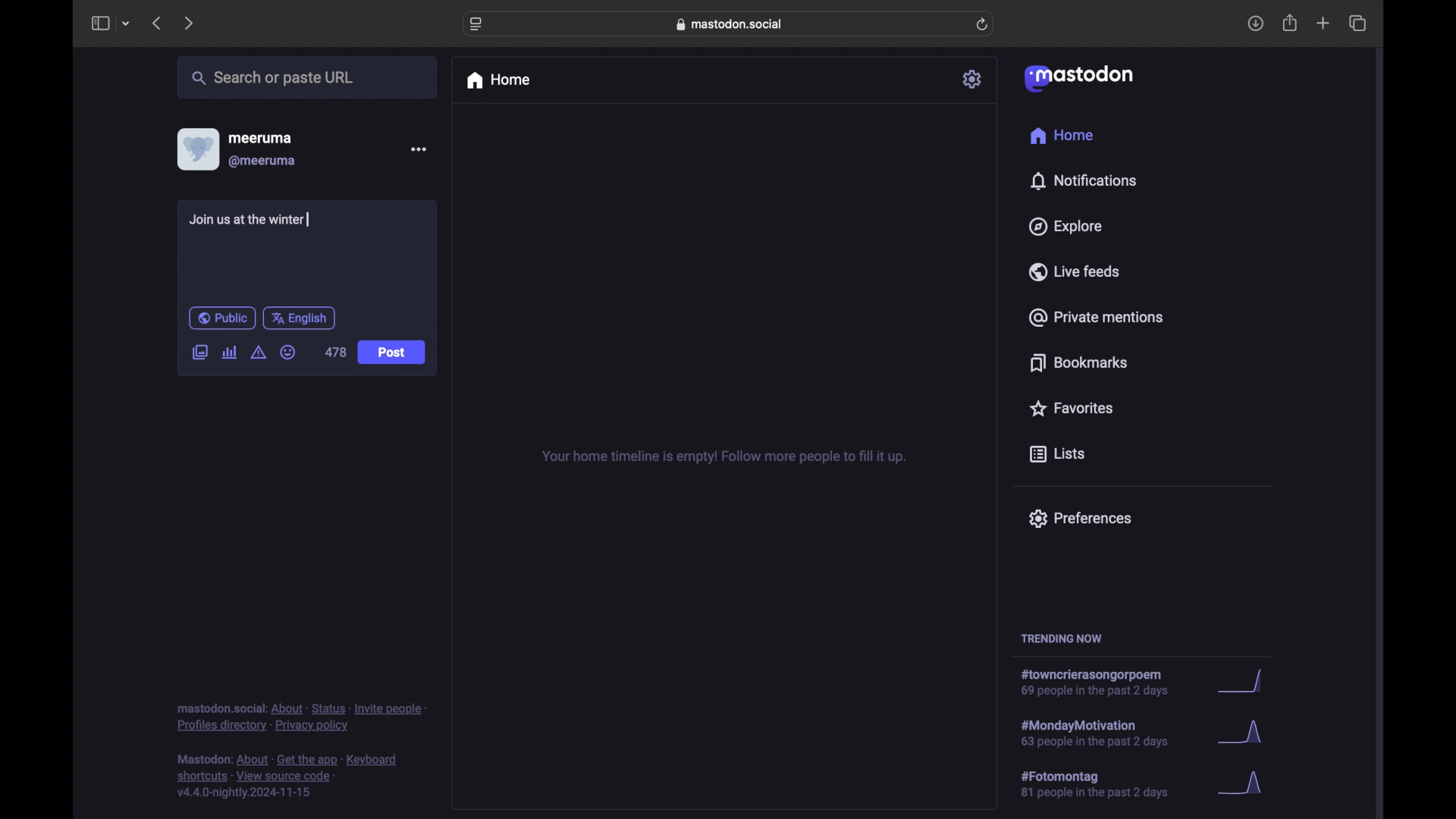 The height and width of the screenshot is (819, 1456). I want to click on refresh, so click(984, 25).